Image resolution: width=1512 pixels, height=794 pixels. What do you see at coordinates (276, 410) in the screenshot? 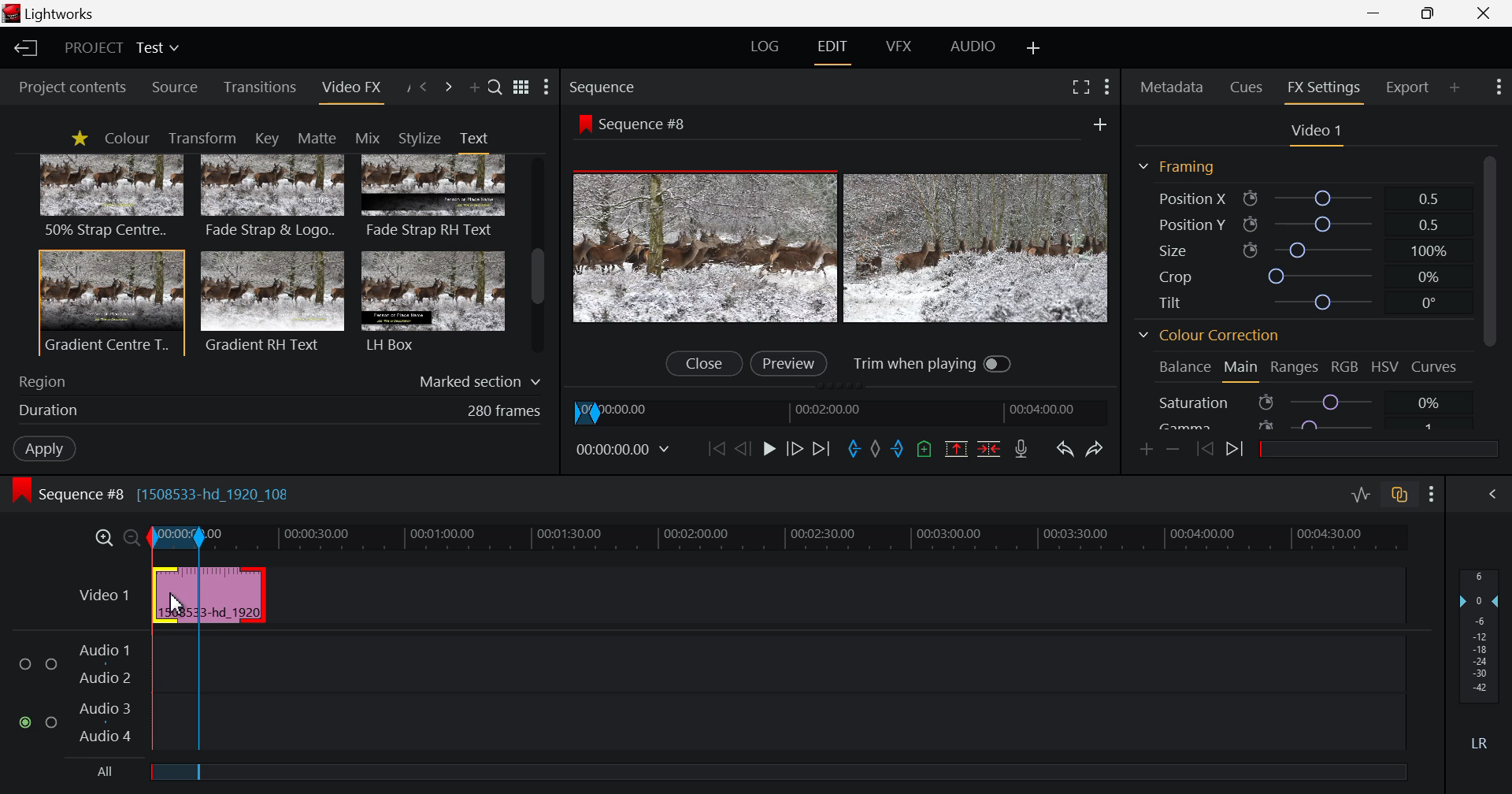
I see `Duration` at bounding box center [276, 410].